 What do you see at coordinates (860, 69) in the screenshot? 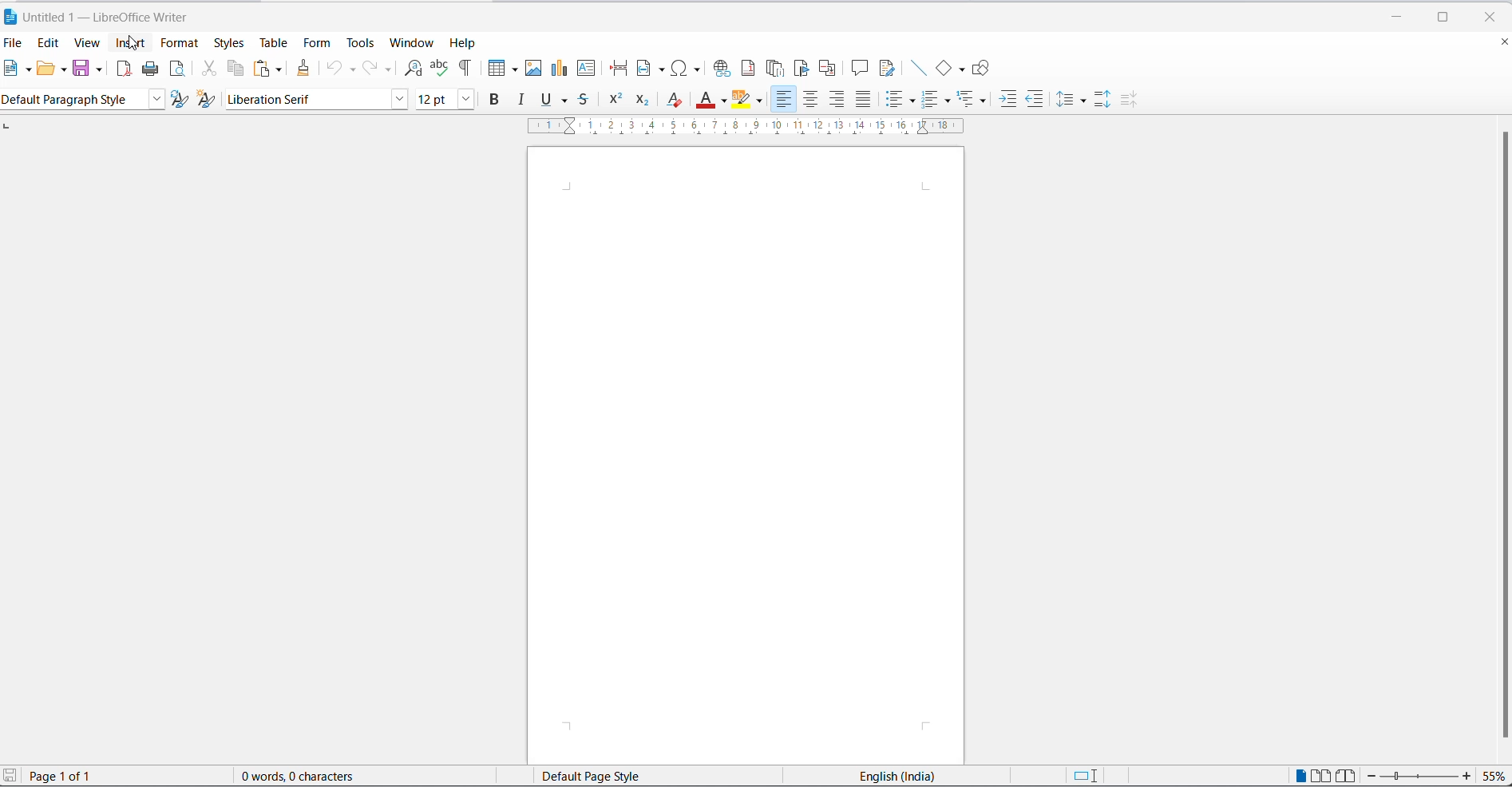
I see `insert comments` at bounding box center [860, 69].